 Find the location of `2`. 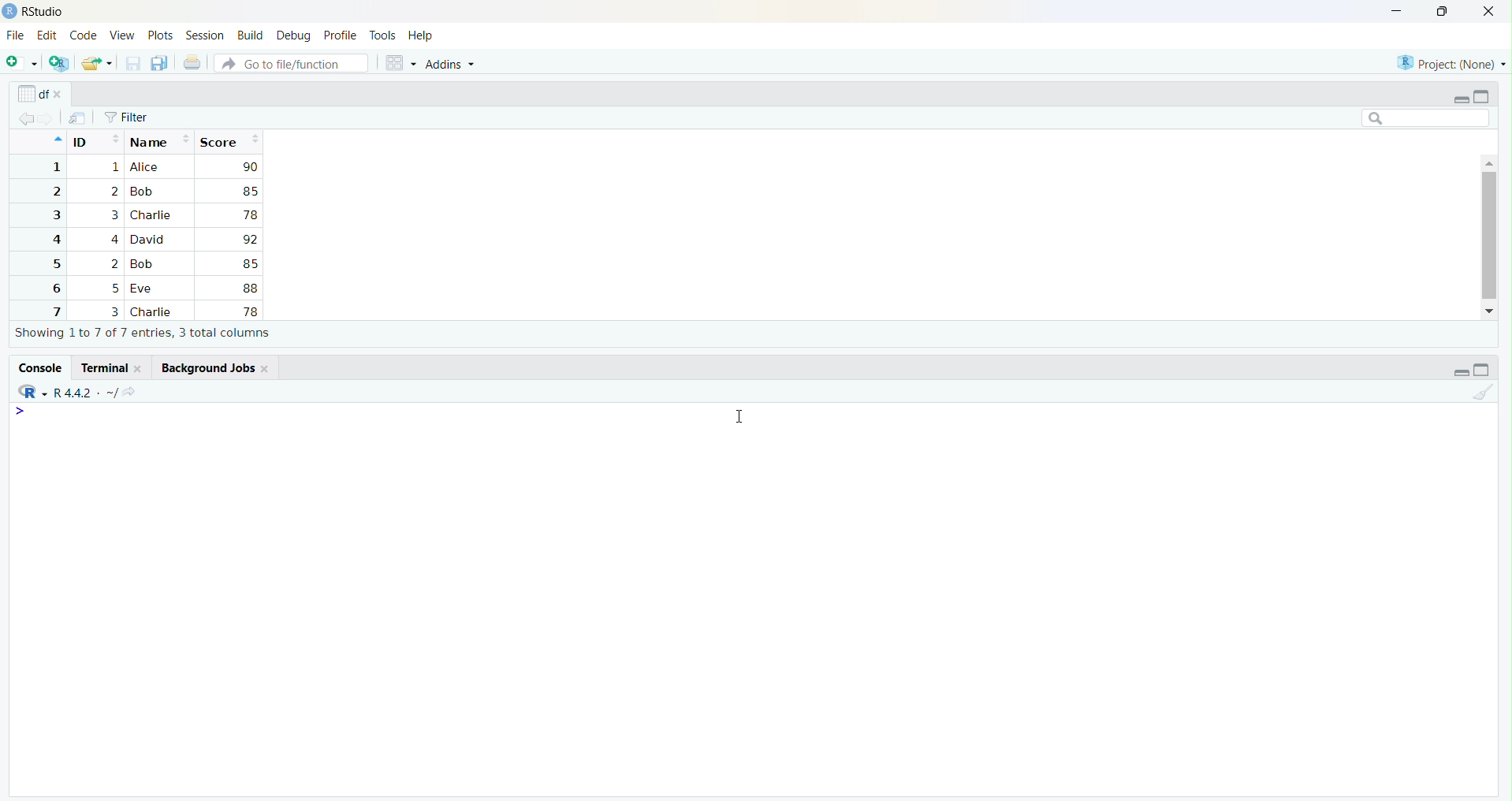

2 is located at coordinates (114, 191).